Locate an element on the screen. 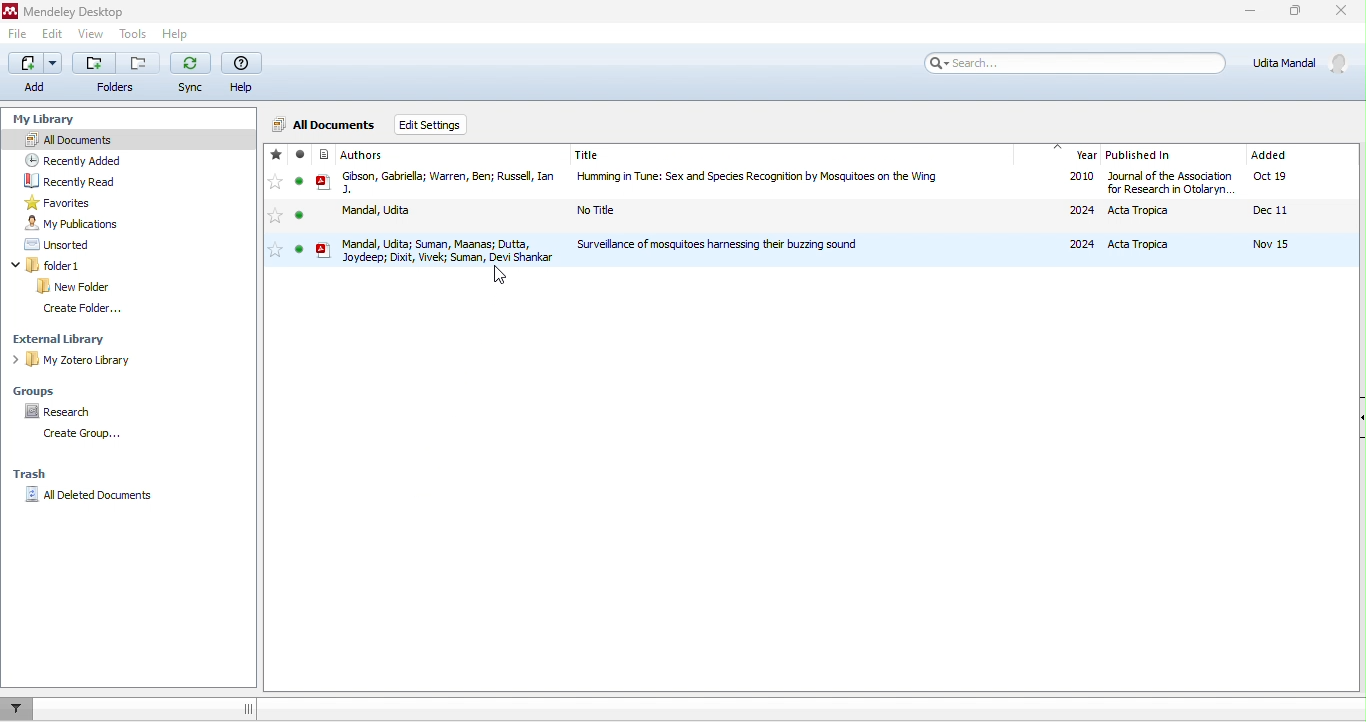 This screenshot has width=1366, height=722. cursor is located at coordinates (496, 274).